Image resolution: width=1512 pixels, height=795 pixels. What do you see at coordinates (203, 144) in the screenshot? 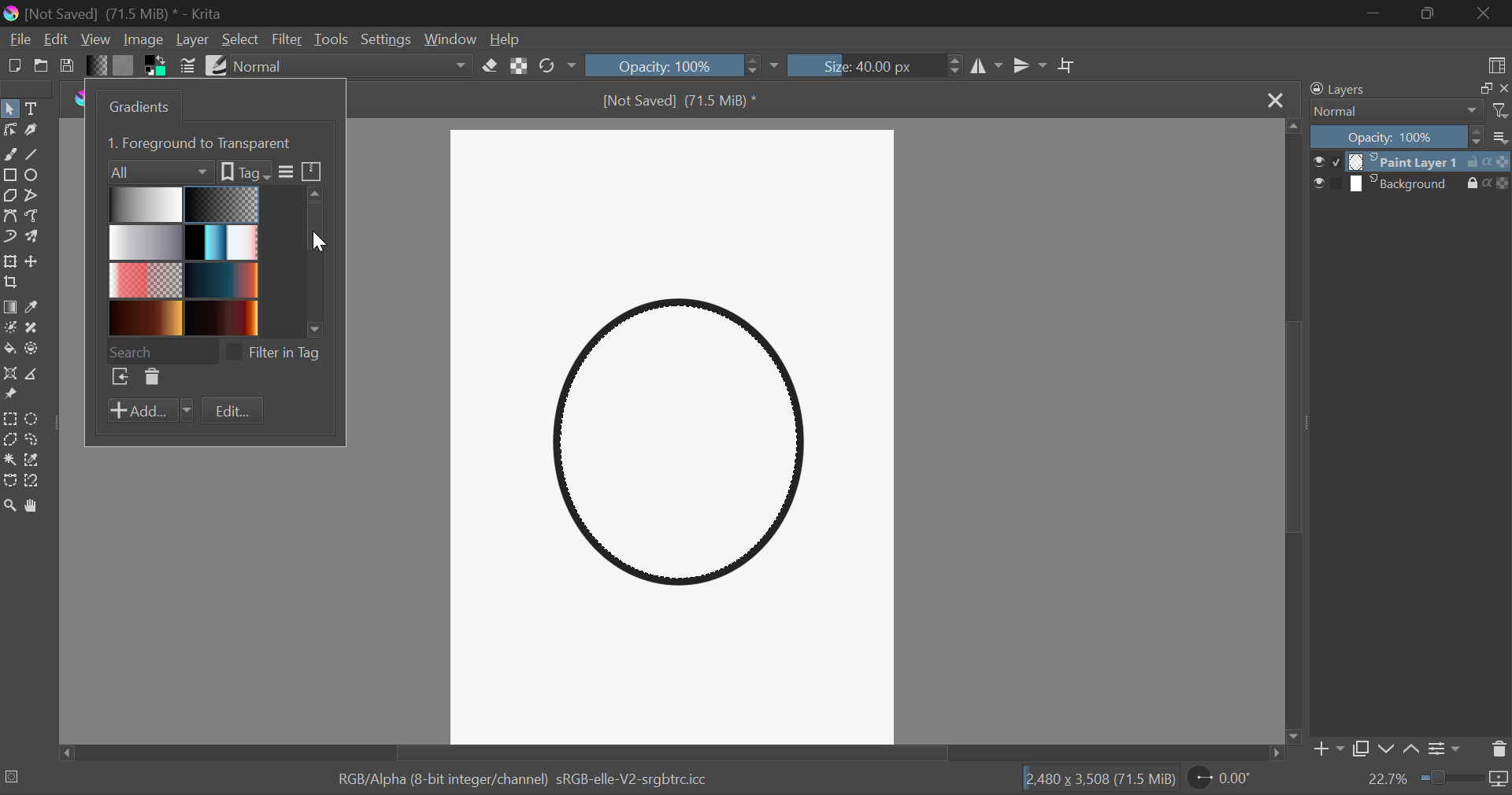
I see `1. Foreground to Transparent` at bounding box center [203, 144].